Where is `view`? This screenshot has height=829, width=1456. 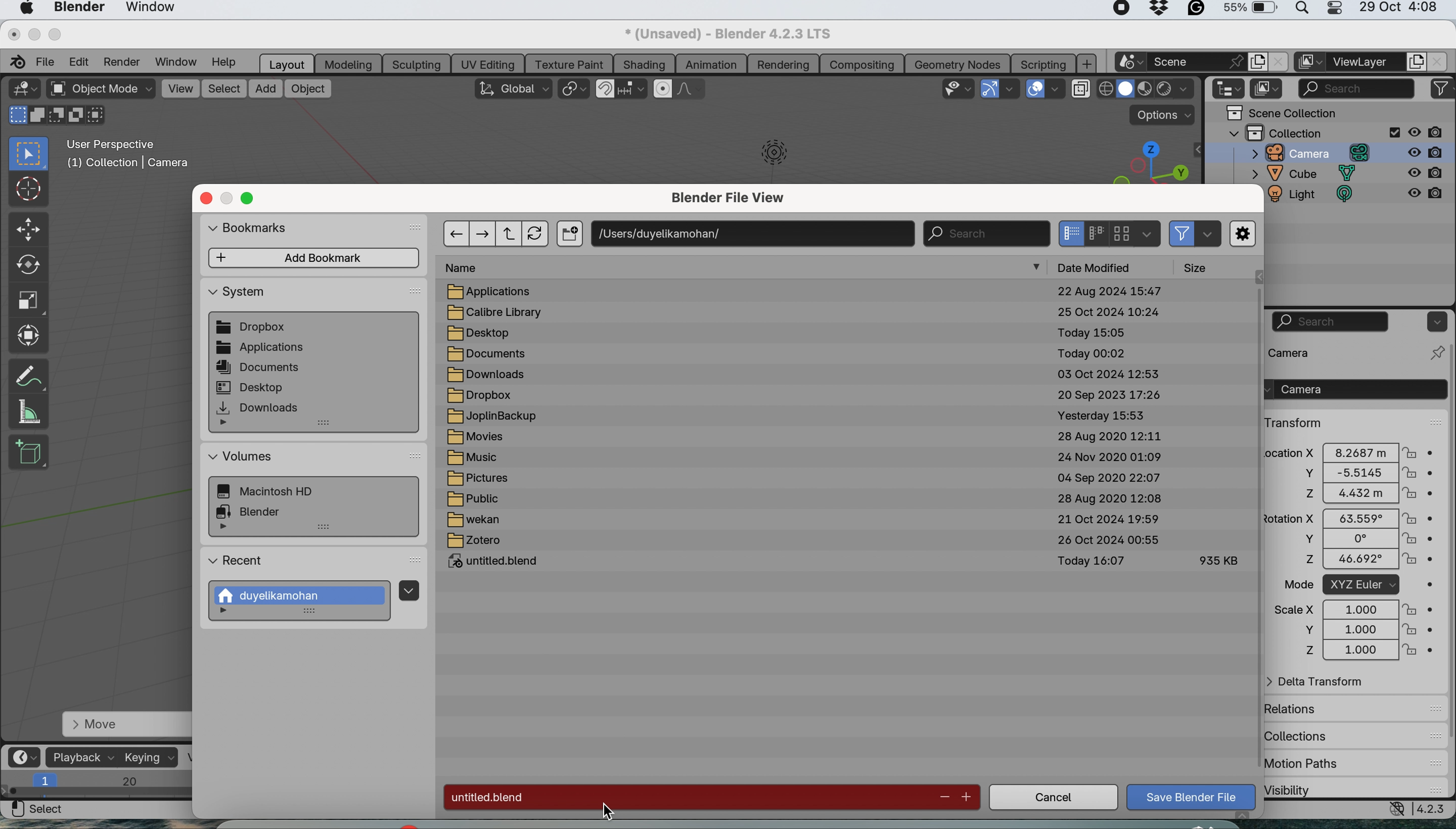
view is located at coordinates (180, 88).